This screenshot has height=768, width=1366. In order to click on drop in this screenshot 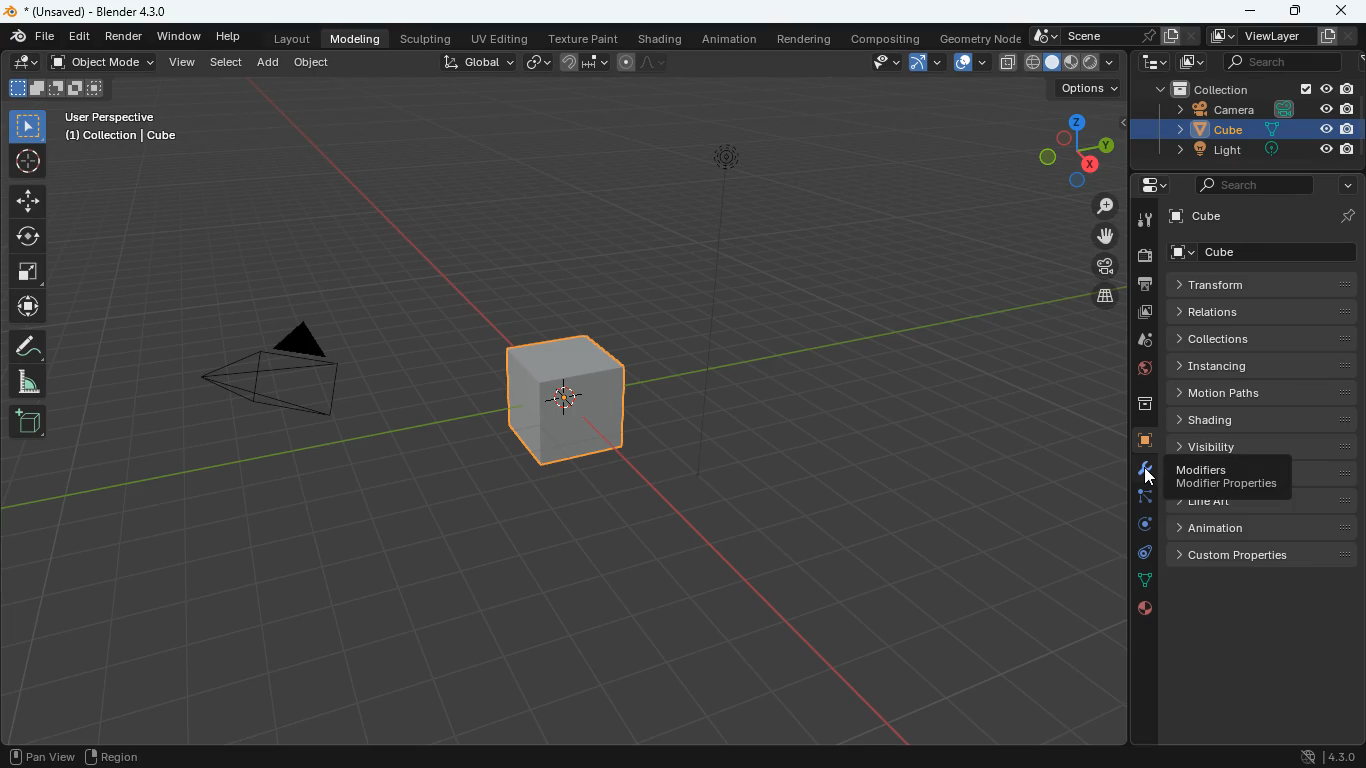, I will do `click(1143, 342)`.